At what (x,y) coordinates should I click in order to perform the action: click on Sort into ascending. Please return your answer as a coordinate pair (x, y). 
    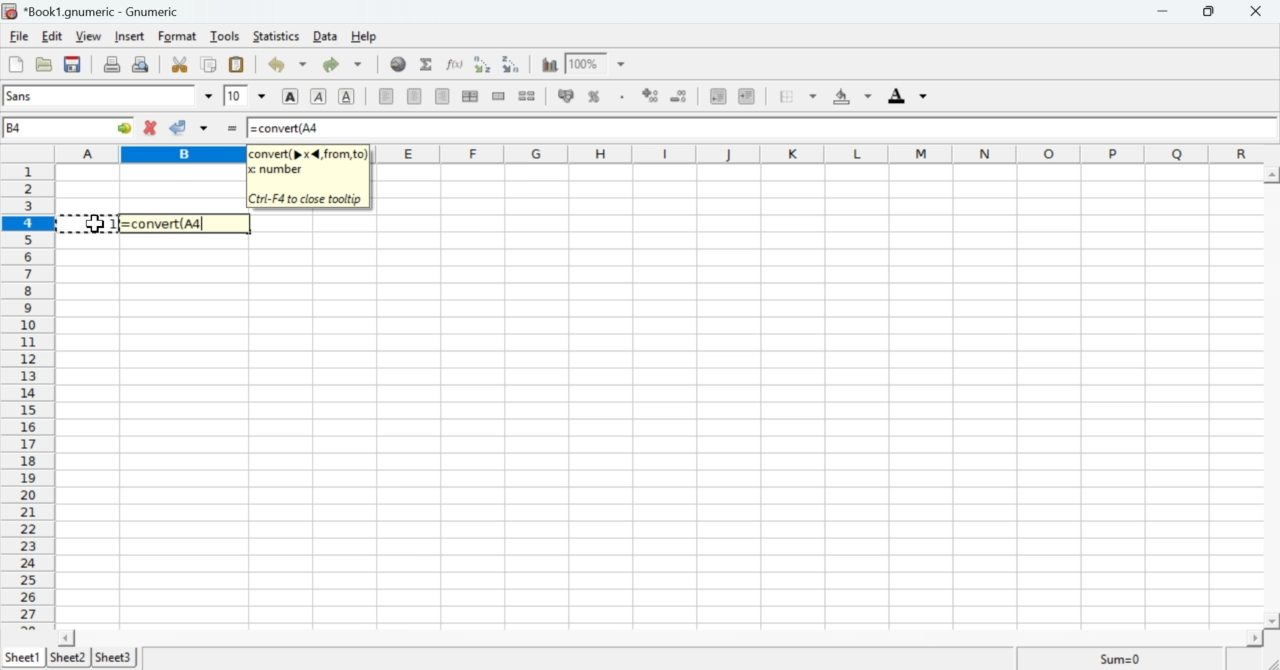
    Looking at the image, I should click on (484, 65).